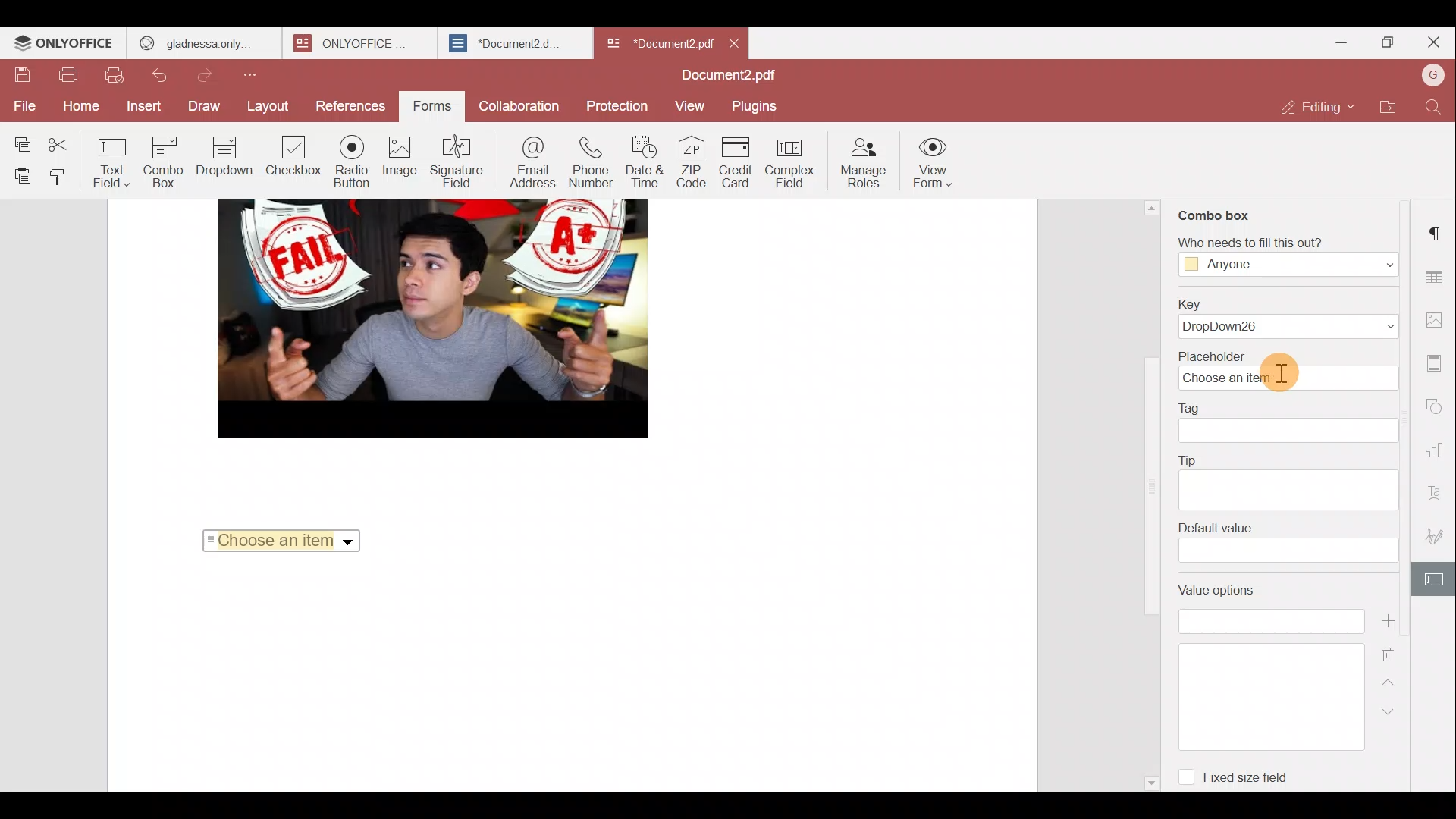  Describe the element at coordinates (738, 162) in the screenshot. I see `Credit card` at that location.